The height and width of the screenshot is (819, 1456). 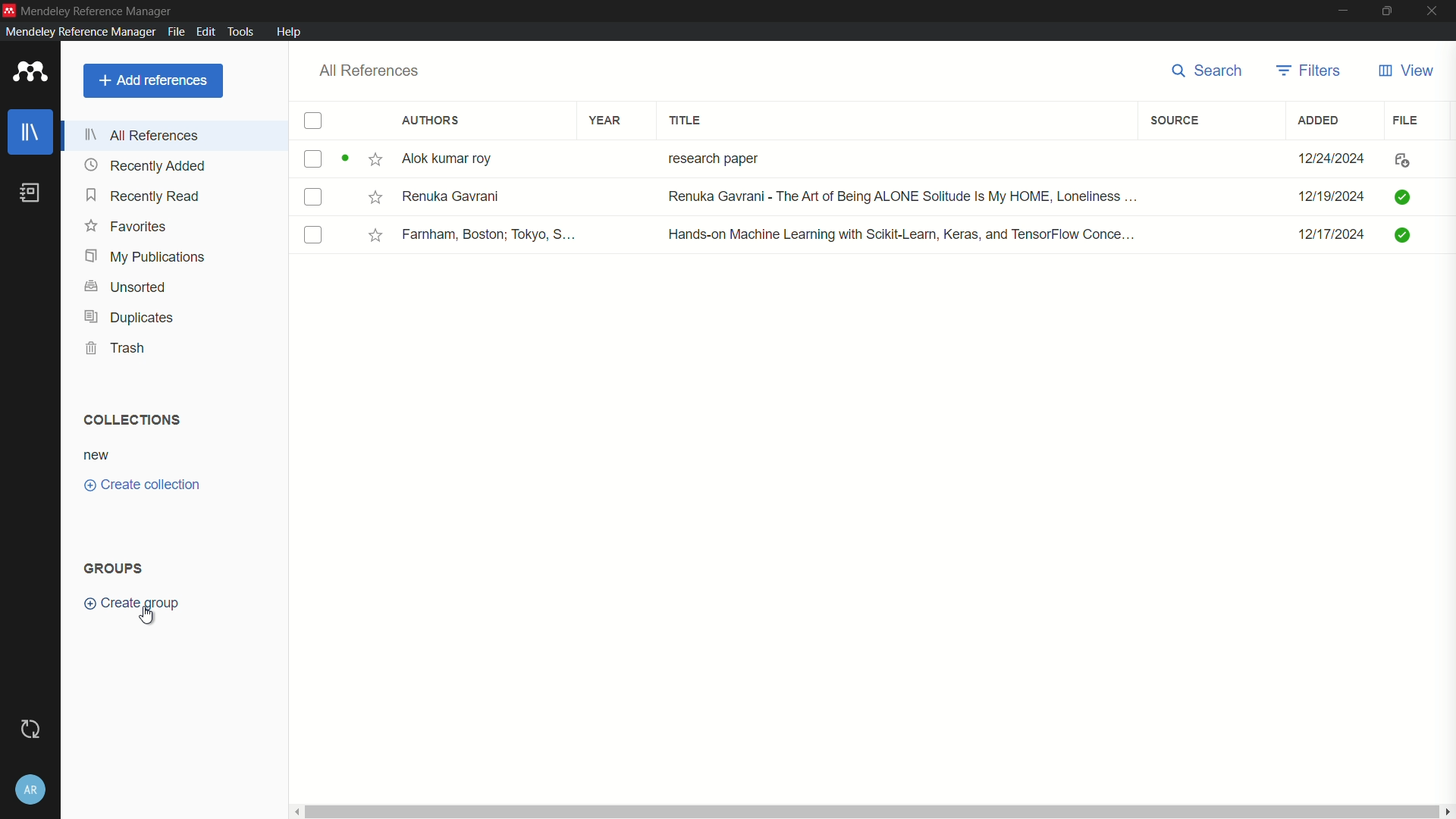 I want to click on library, so click(x=33, y=133).